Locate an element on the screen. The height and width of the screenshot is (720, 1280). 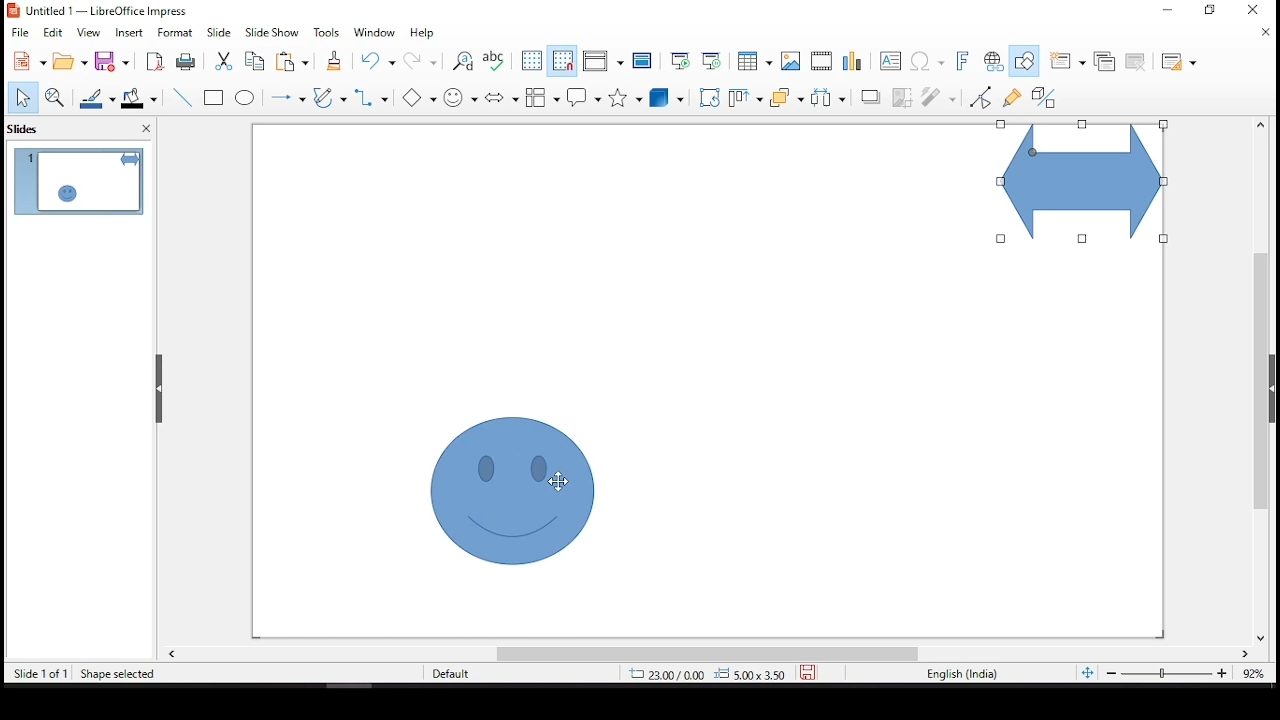
shadow is located at coordinates (871, 96).